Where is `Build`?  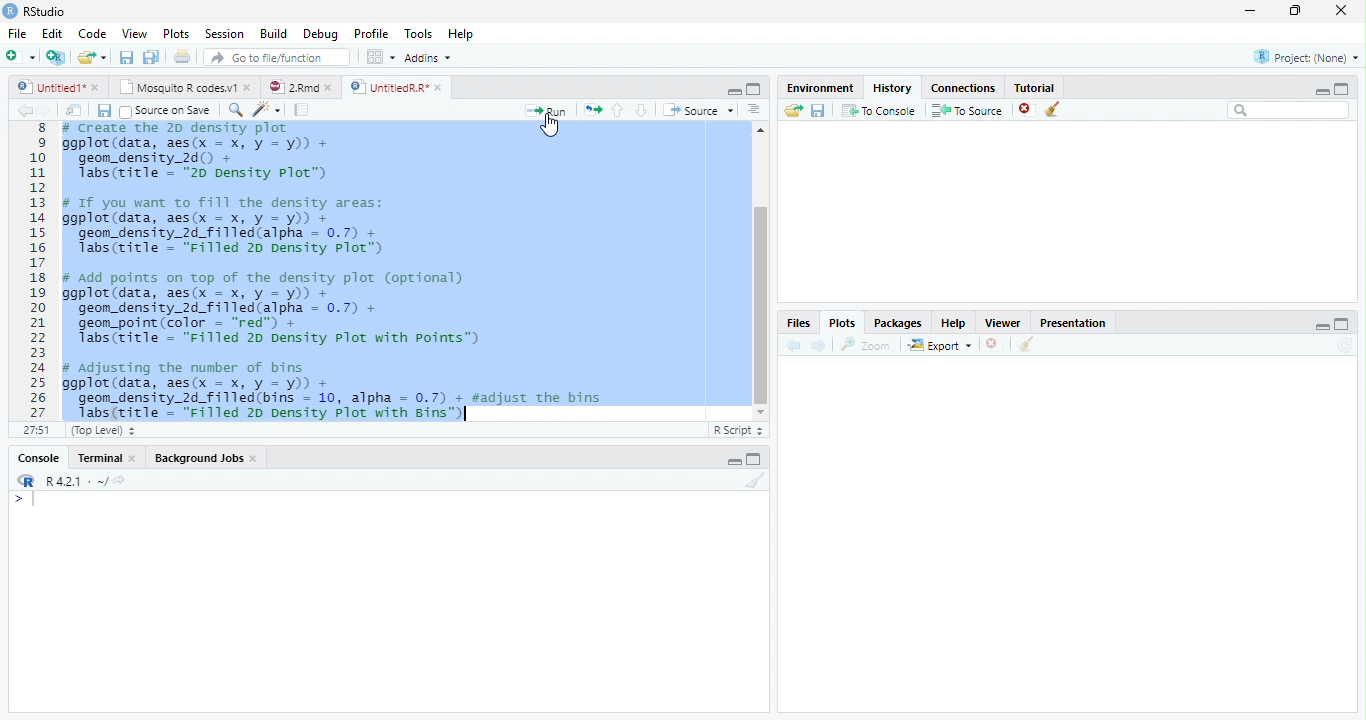 Build is located at coordinates (273, 33).